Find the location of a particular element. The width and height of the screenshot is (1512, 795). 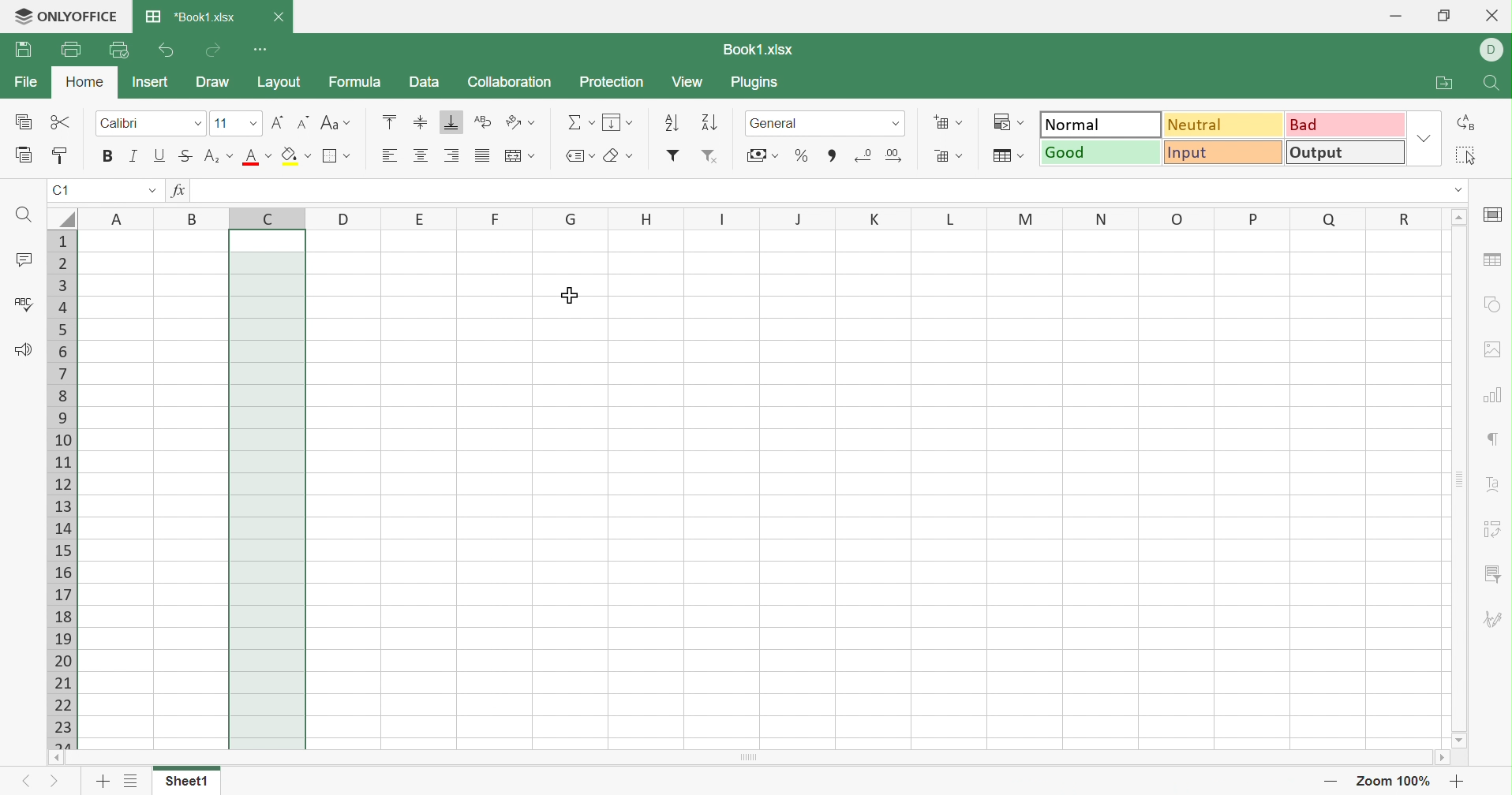

Plugins is located at coordinates (757, 82).